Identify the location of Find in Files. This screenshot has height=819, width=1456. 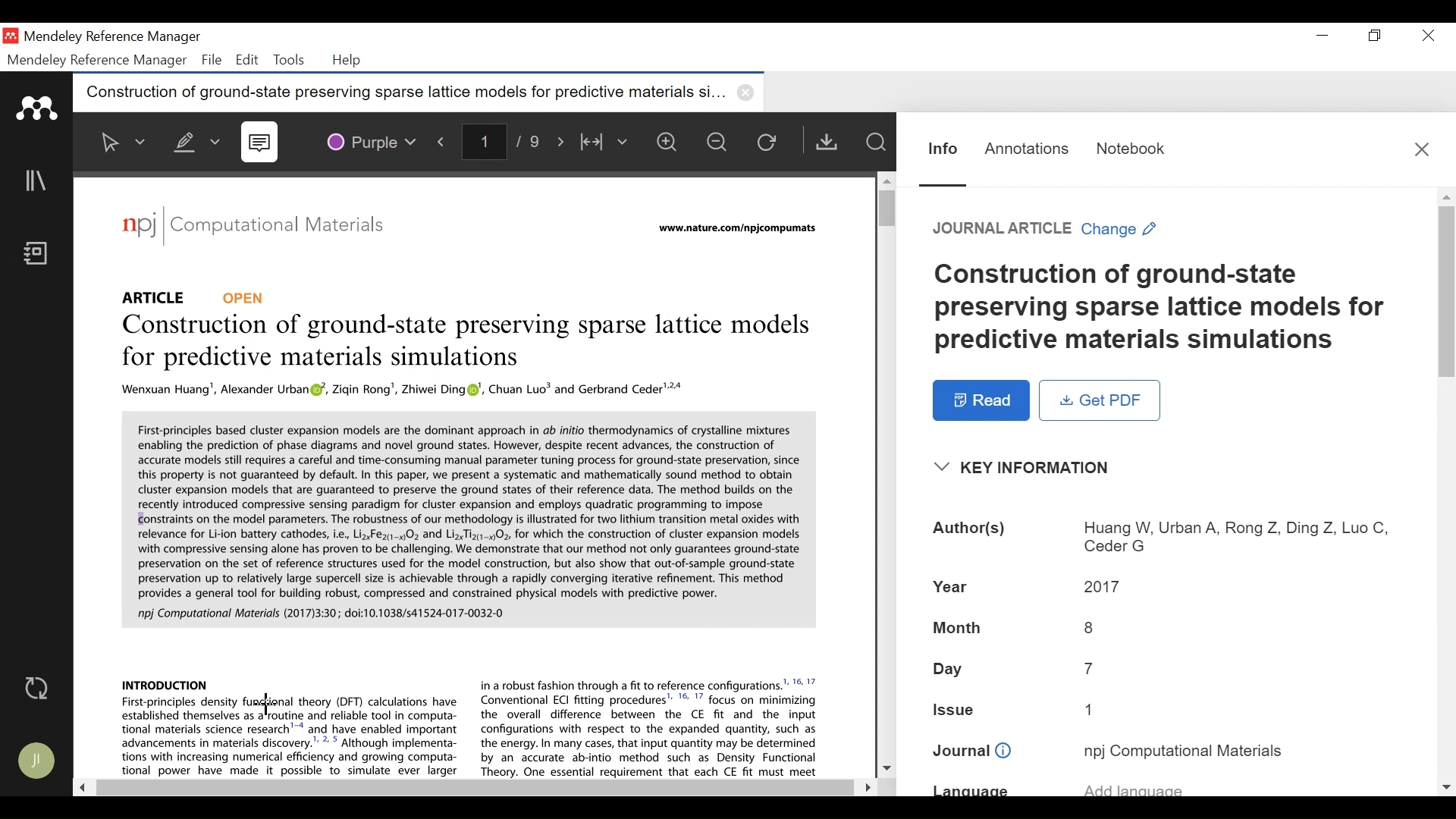
(877, 143).